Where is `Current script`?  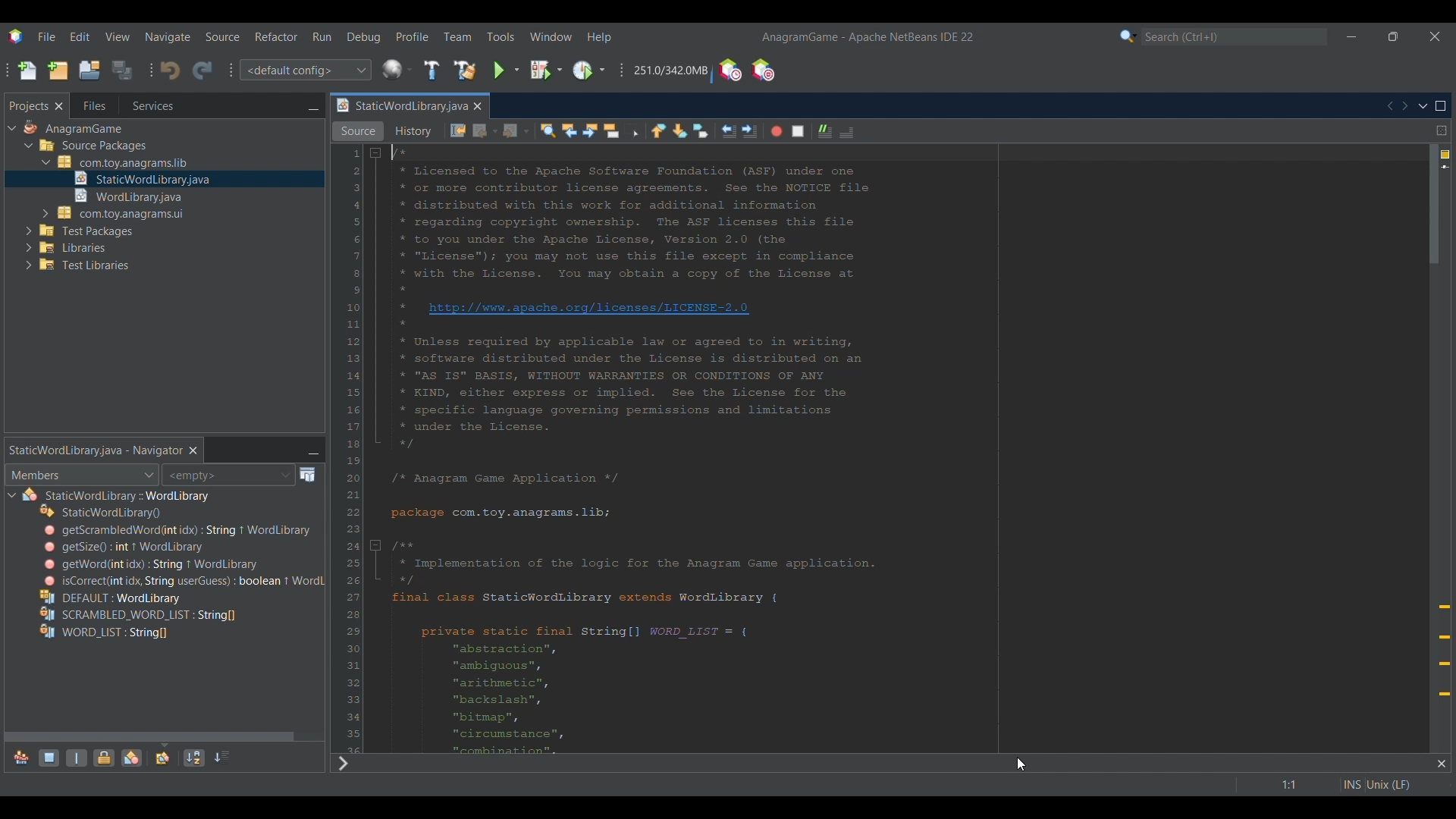 Current script is located at coordinates (663, 450).